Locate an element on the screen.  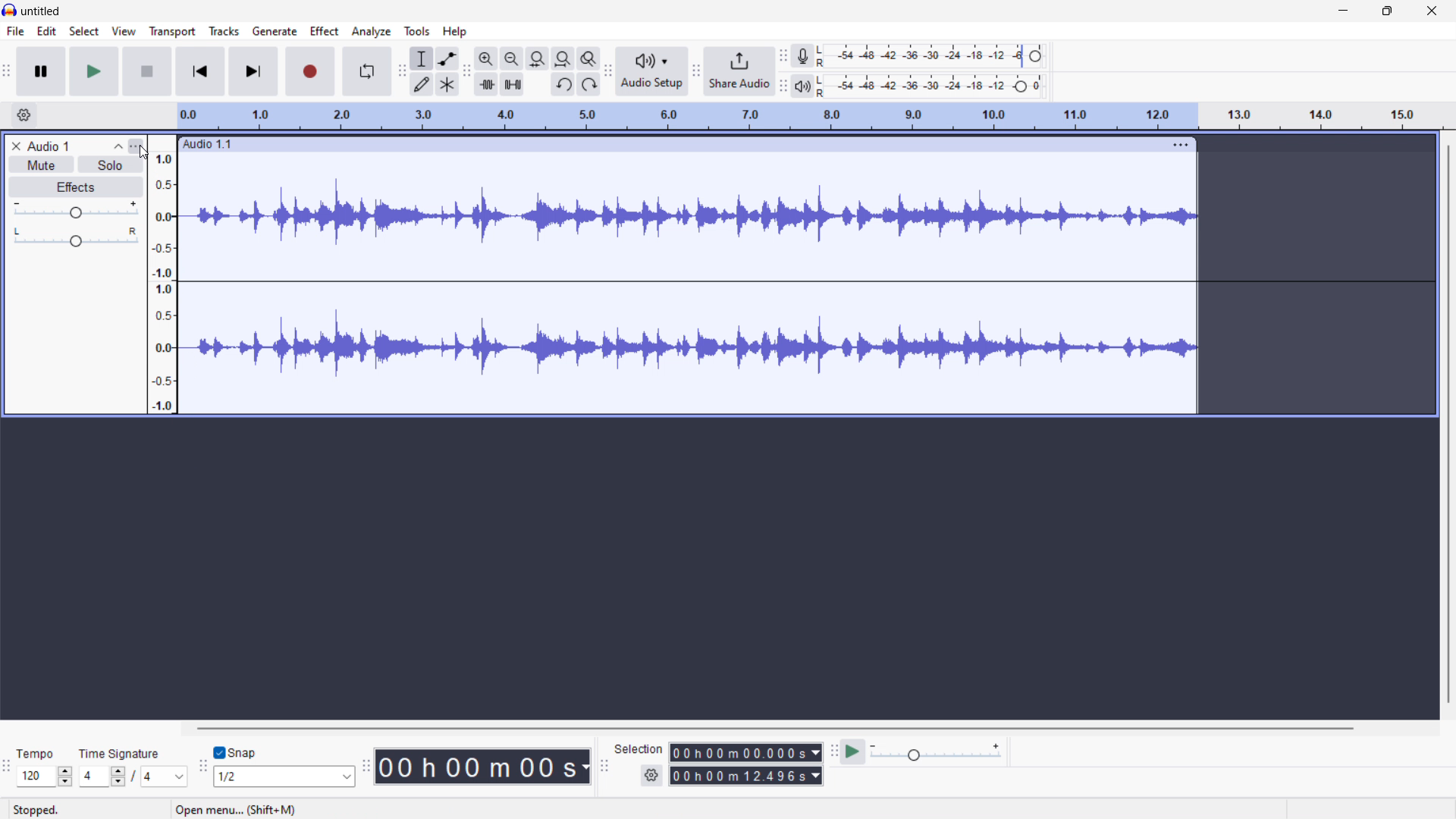
play at speed  is located at coordinates (852, 751).